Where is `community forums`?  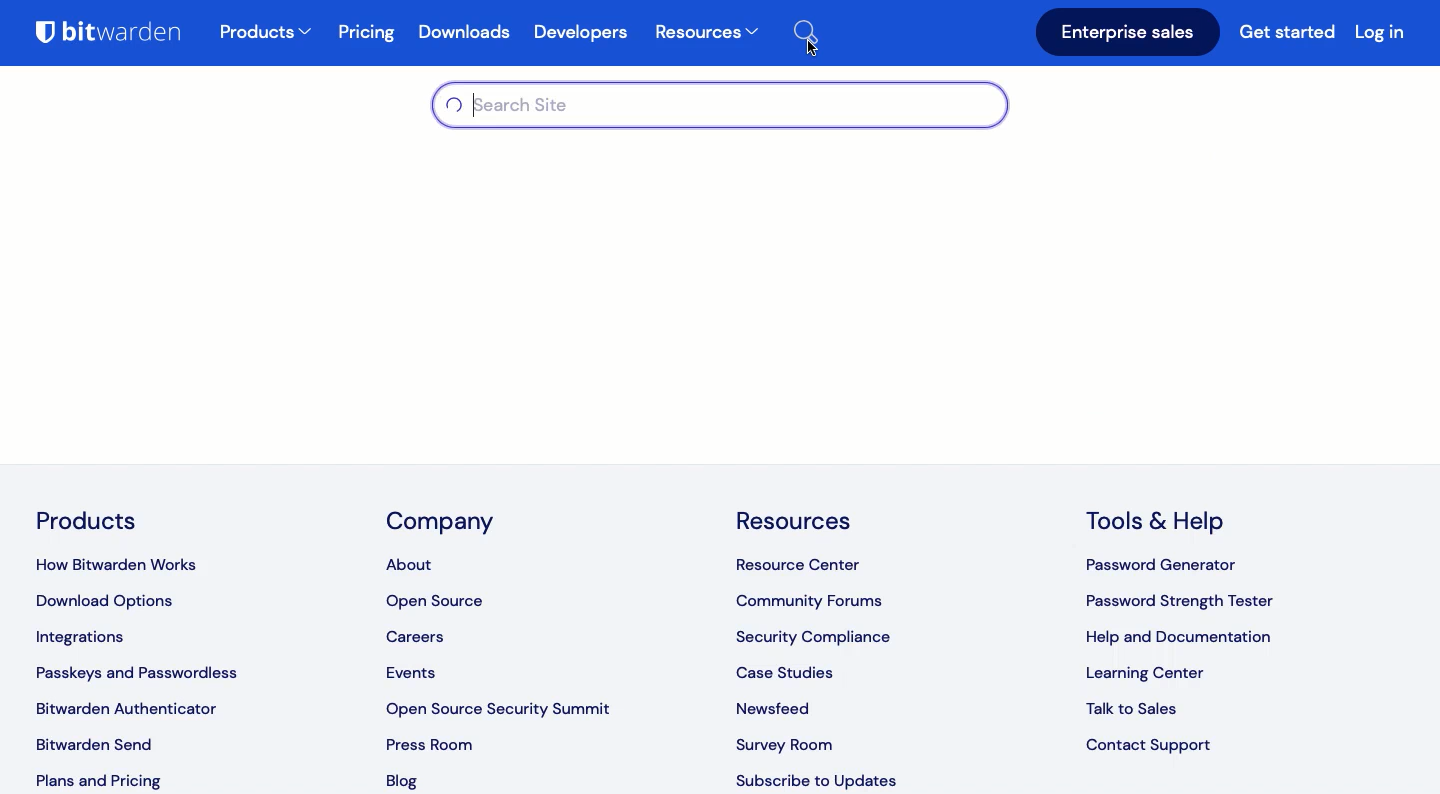
community forums is located at coordinates (814, 597).